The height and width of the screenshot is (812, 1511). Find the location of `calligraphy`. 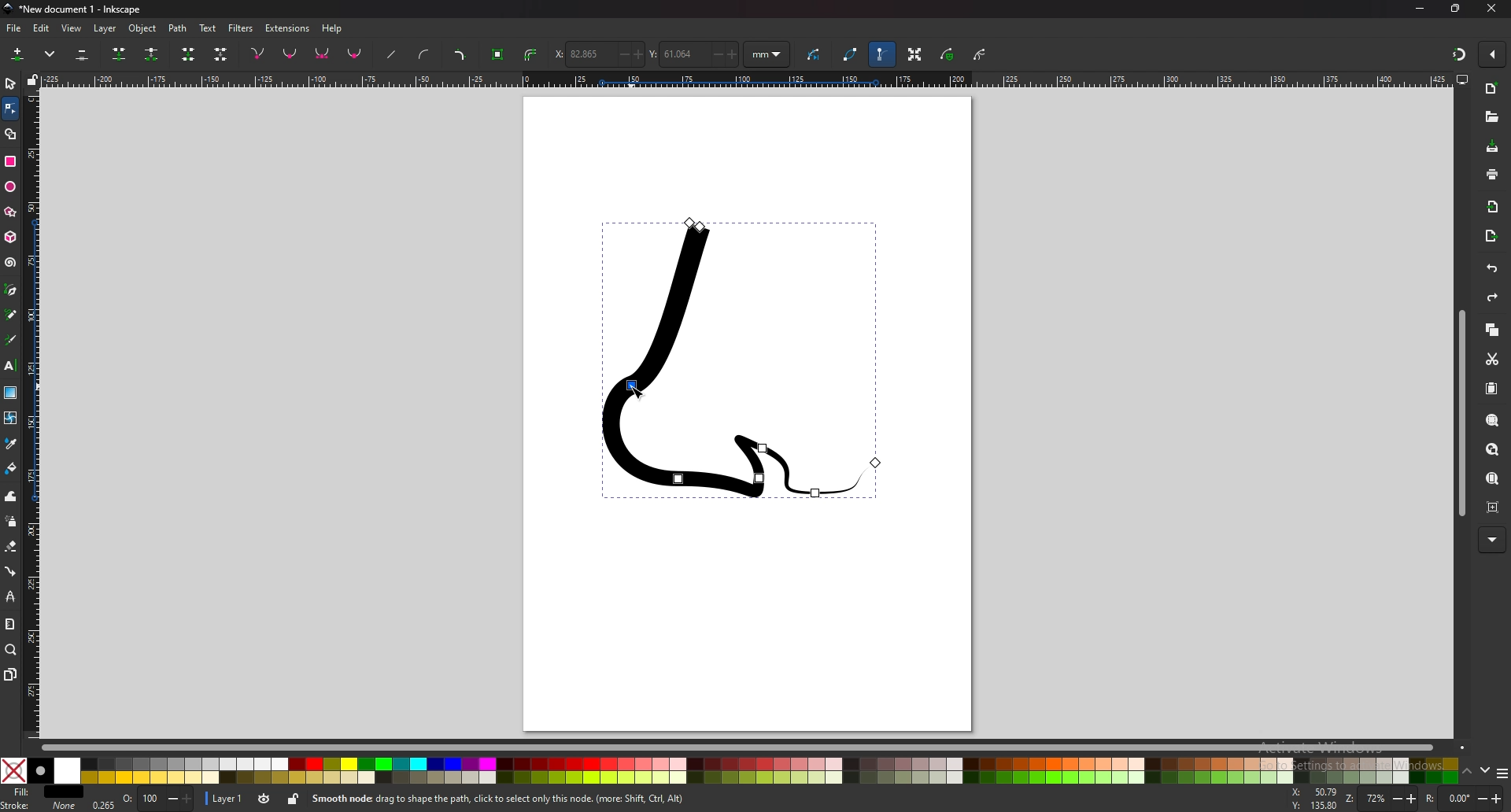

calligraphy is located at coordinates (11, 341).